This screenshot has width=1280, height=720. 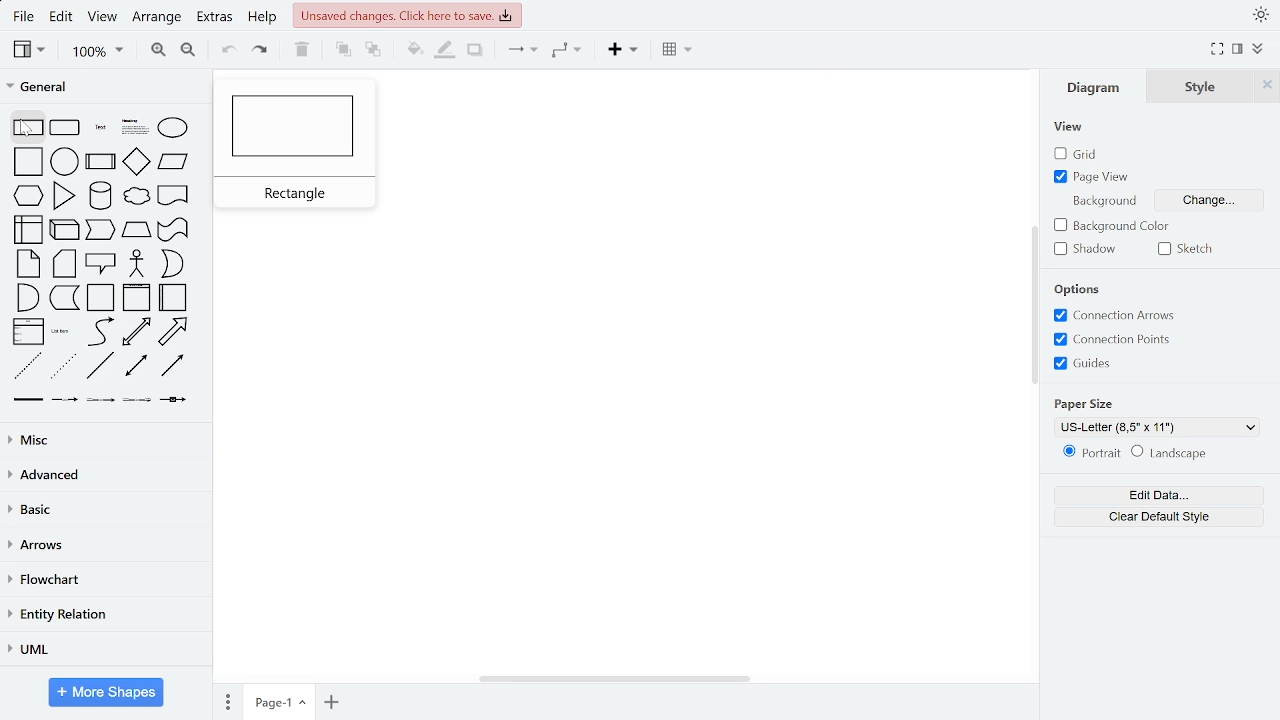 What do you see at coordinates (103, 651) in the screenshot?
I see `UML` at bounding box center [103, 651].